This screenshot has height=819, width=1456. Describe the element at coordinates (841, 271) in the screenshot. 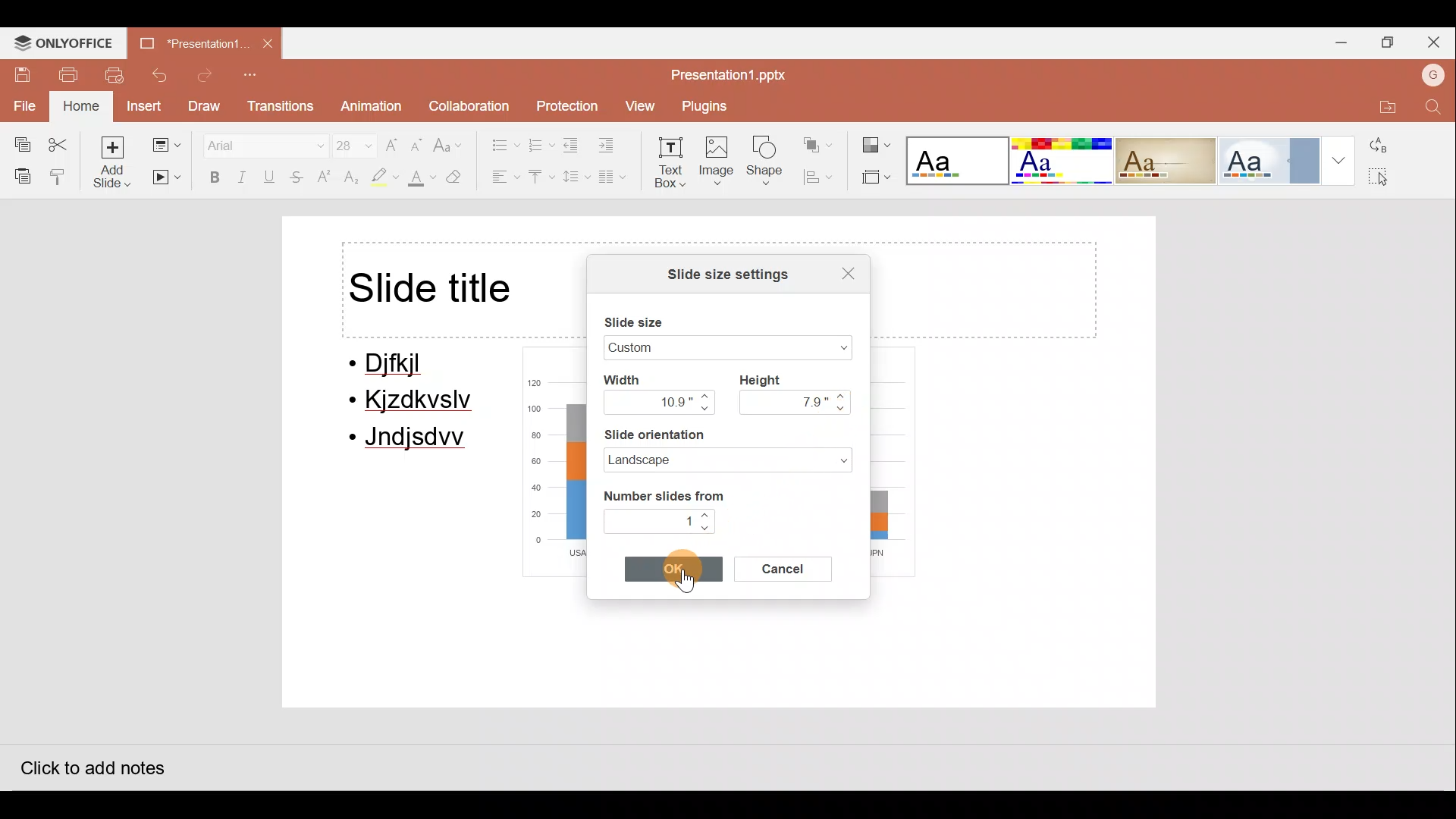

I see `Close` at that location.